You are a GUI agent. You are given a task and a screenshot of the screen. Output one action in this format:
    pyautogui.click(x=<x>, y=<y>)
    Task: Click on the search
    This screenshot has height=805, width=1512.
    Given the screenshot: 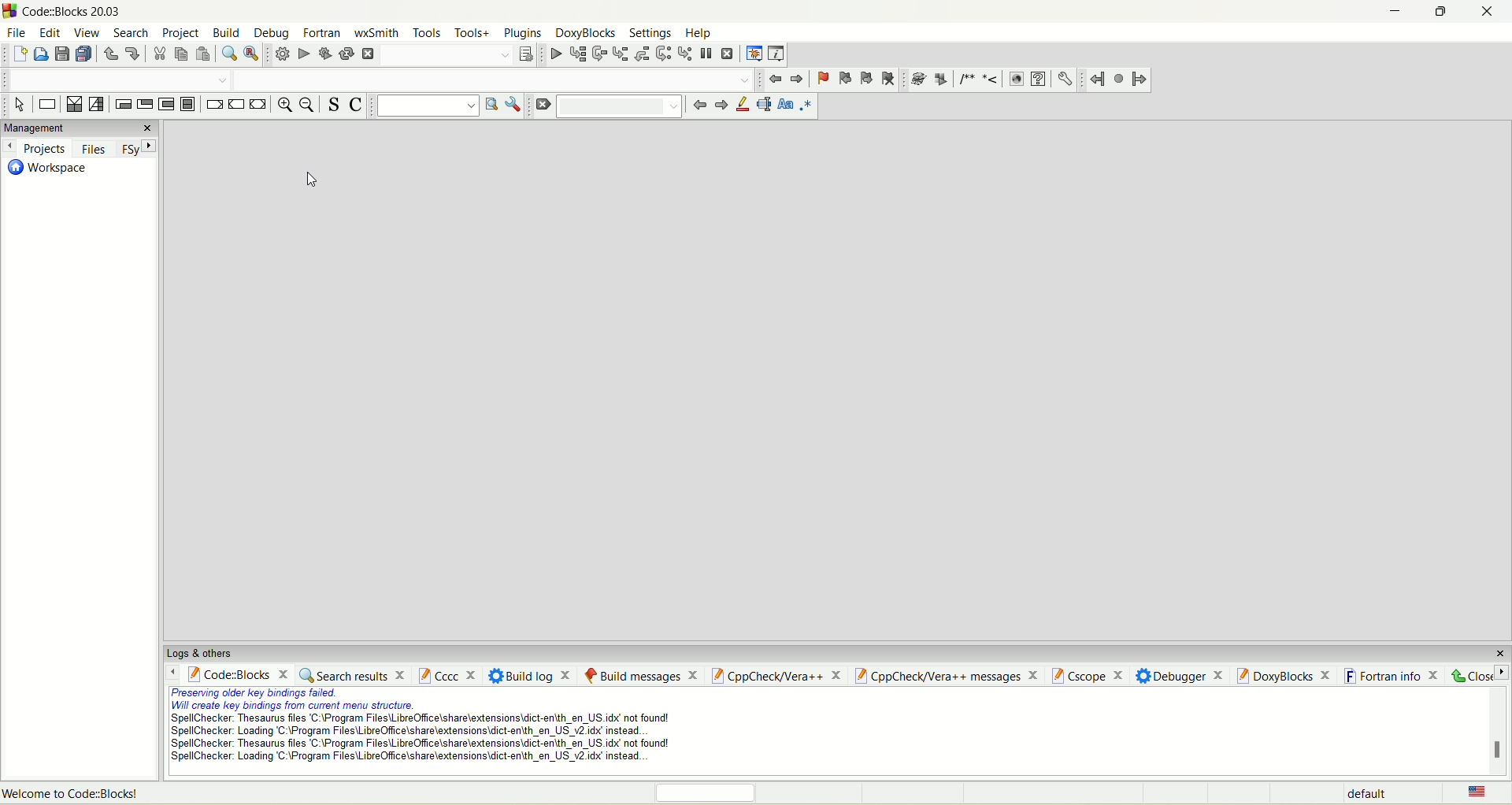 What is the action you would take?
    pyautogui.click(x=132, y=34)
    